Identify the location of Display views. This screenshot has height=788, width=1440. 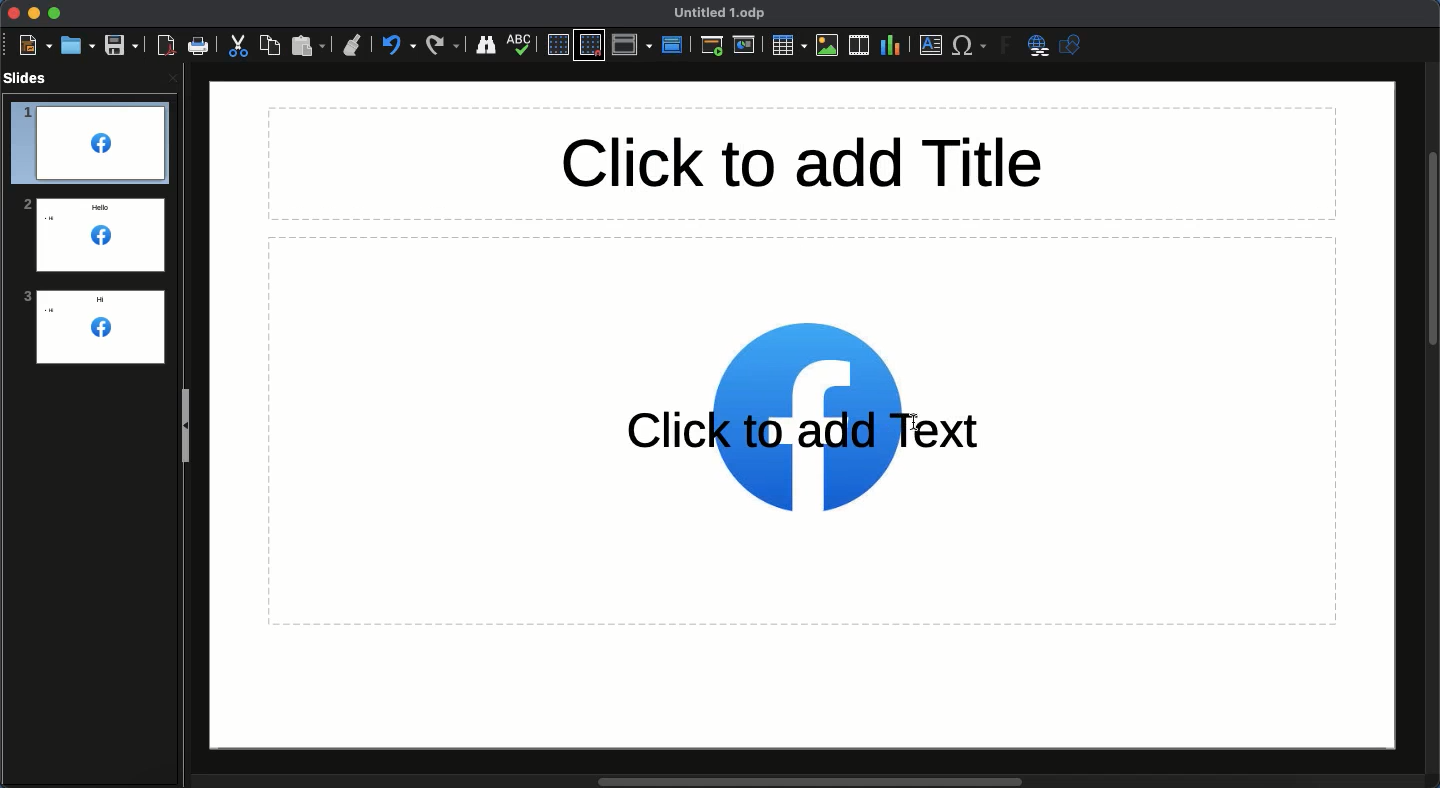
(632, 45).